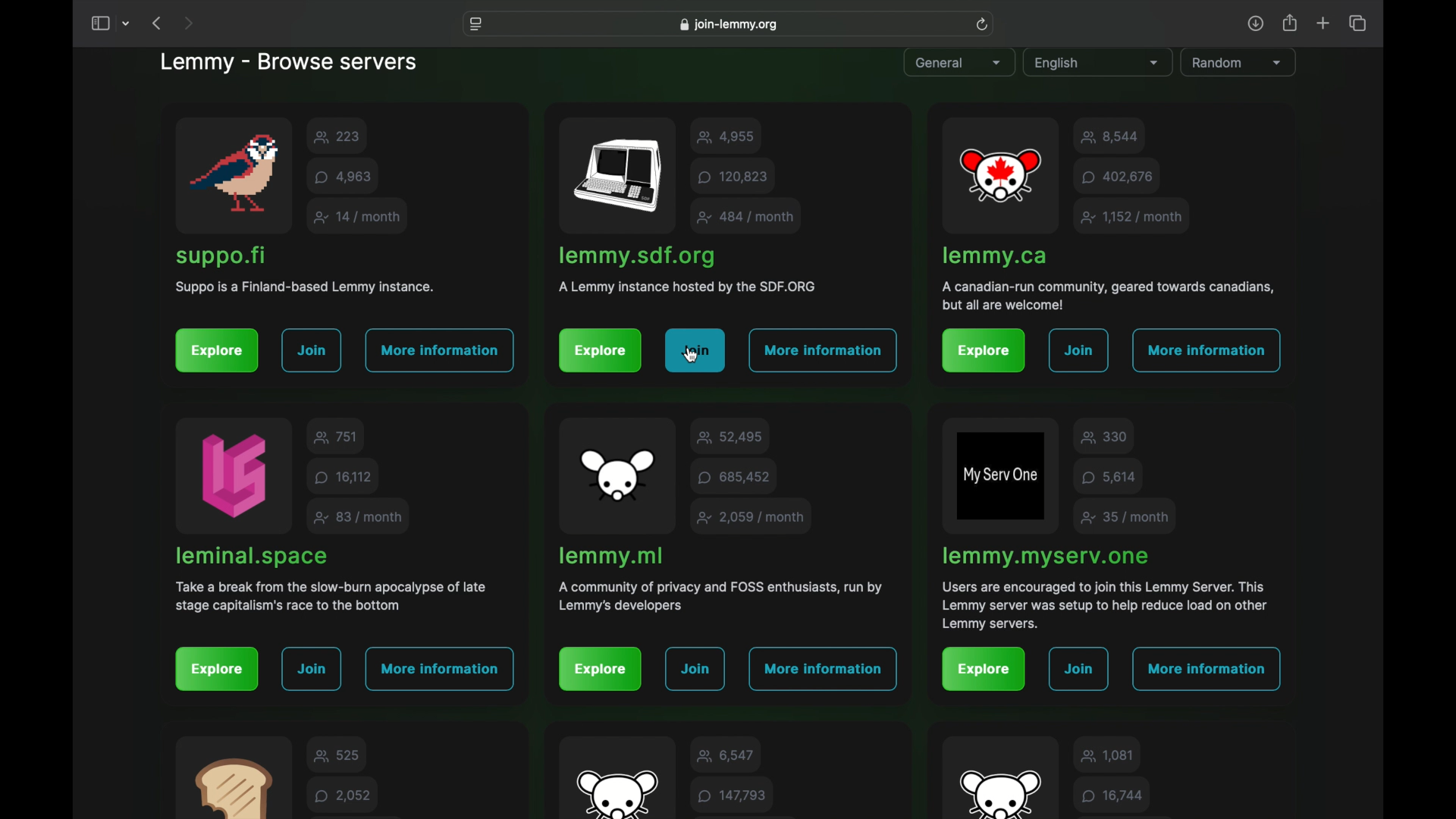  I want to click on participants, so click(1106, 755).